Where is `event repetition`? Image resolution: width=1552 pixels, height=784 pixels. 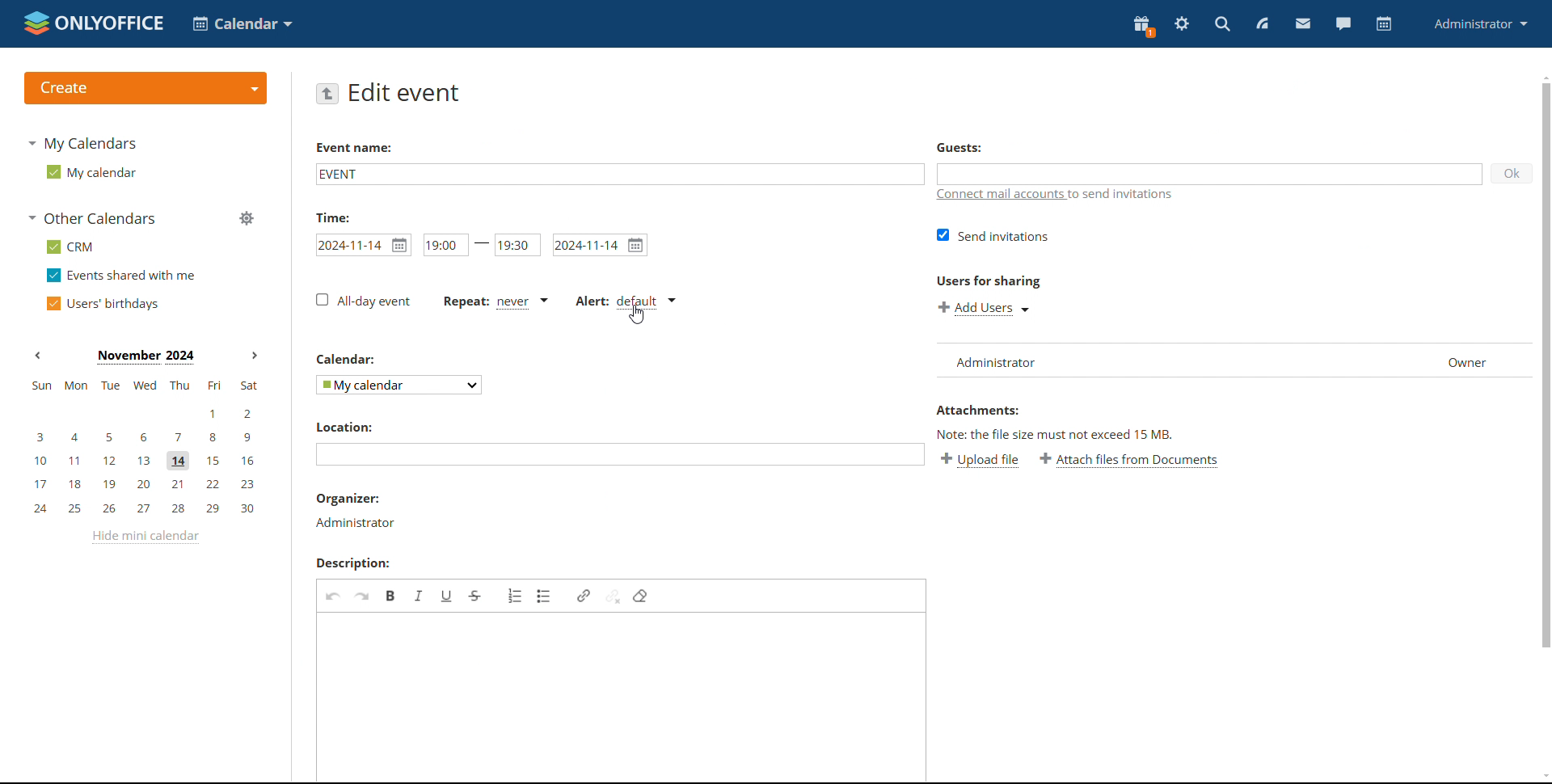 event repetition is located at coordinates (495, 301).